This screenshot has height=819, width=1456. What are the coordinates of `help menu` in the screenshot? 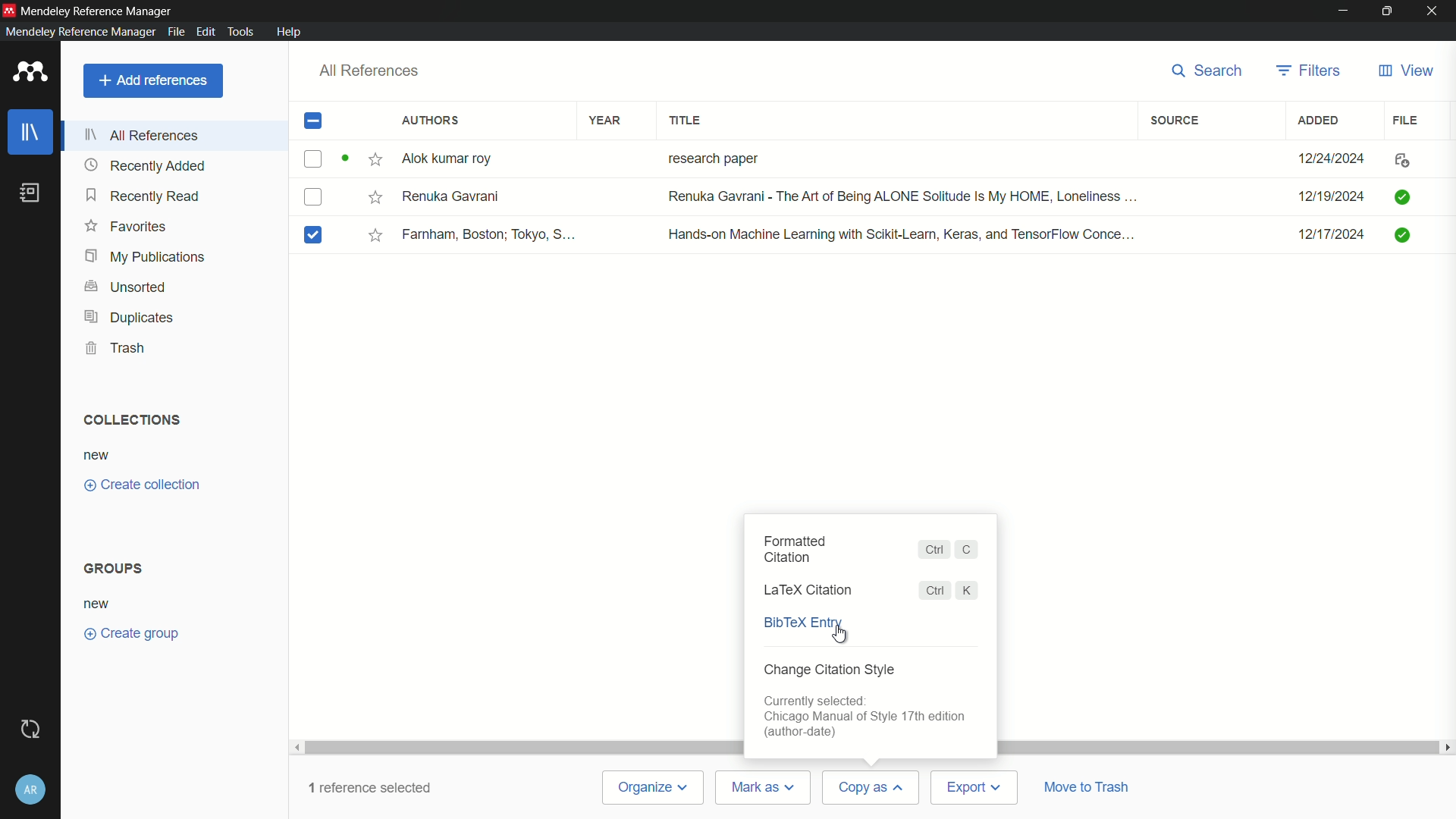 It's located at (291, 32).